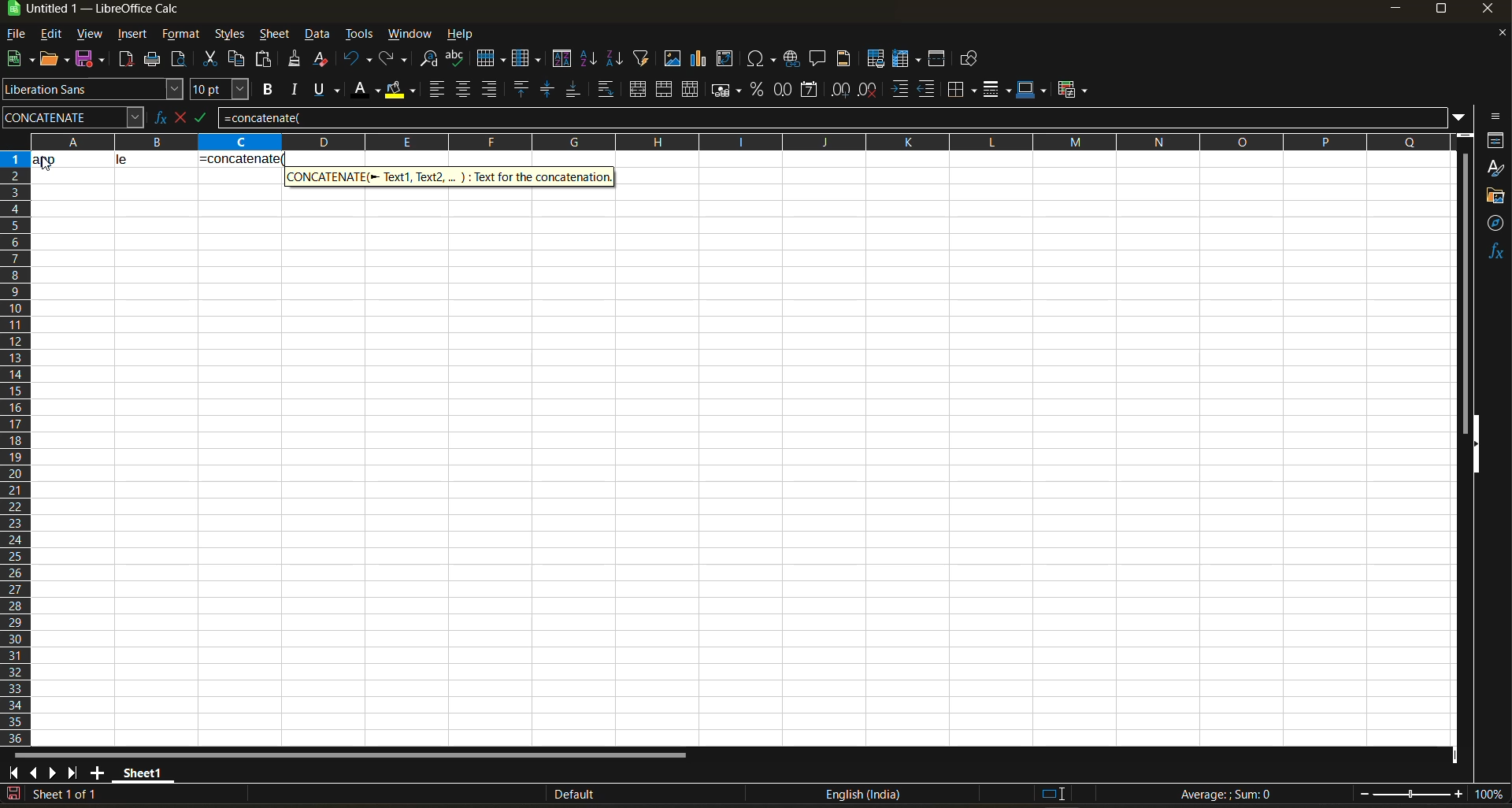  Describe the element at coordinates (73, 773) in the screenshot. I see `scroll to last sheet` at that location.